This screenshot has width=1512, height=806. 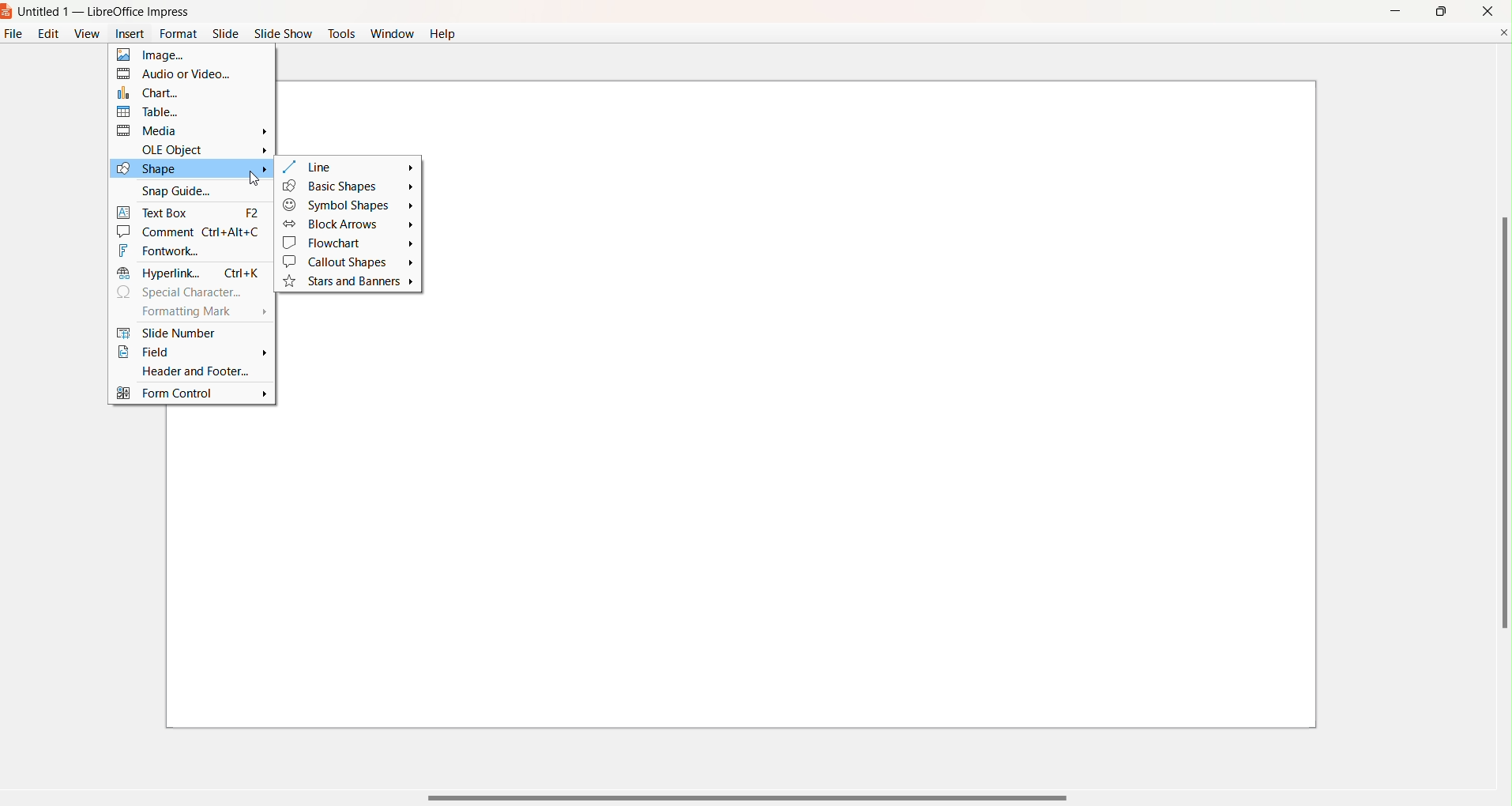 I want to click on OLE Object, so click(x=203, y=148).